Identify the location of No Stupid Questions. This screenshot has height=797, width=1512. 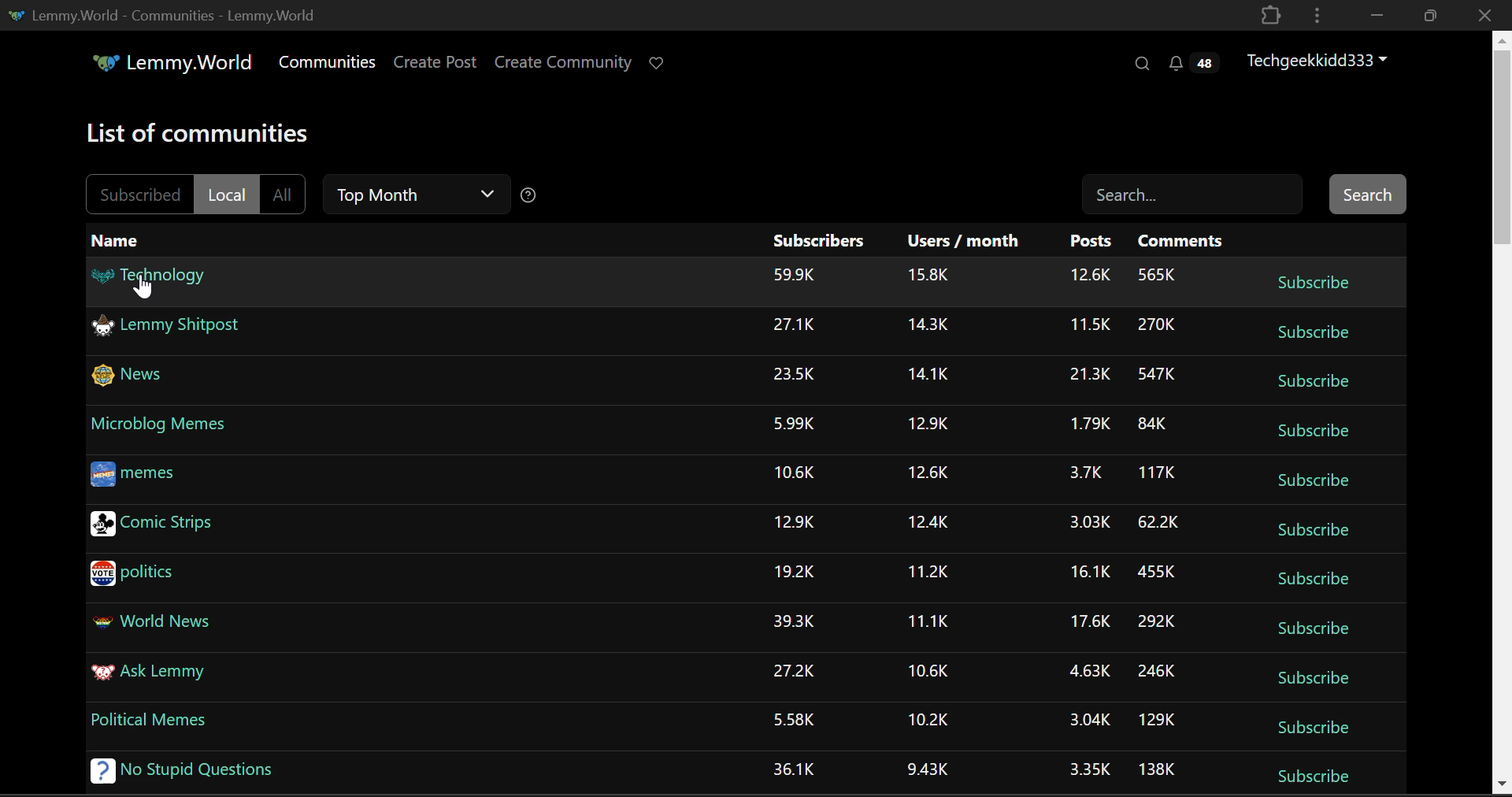
(176, 767).